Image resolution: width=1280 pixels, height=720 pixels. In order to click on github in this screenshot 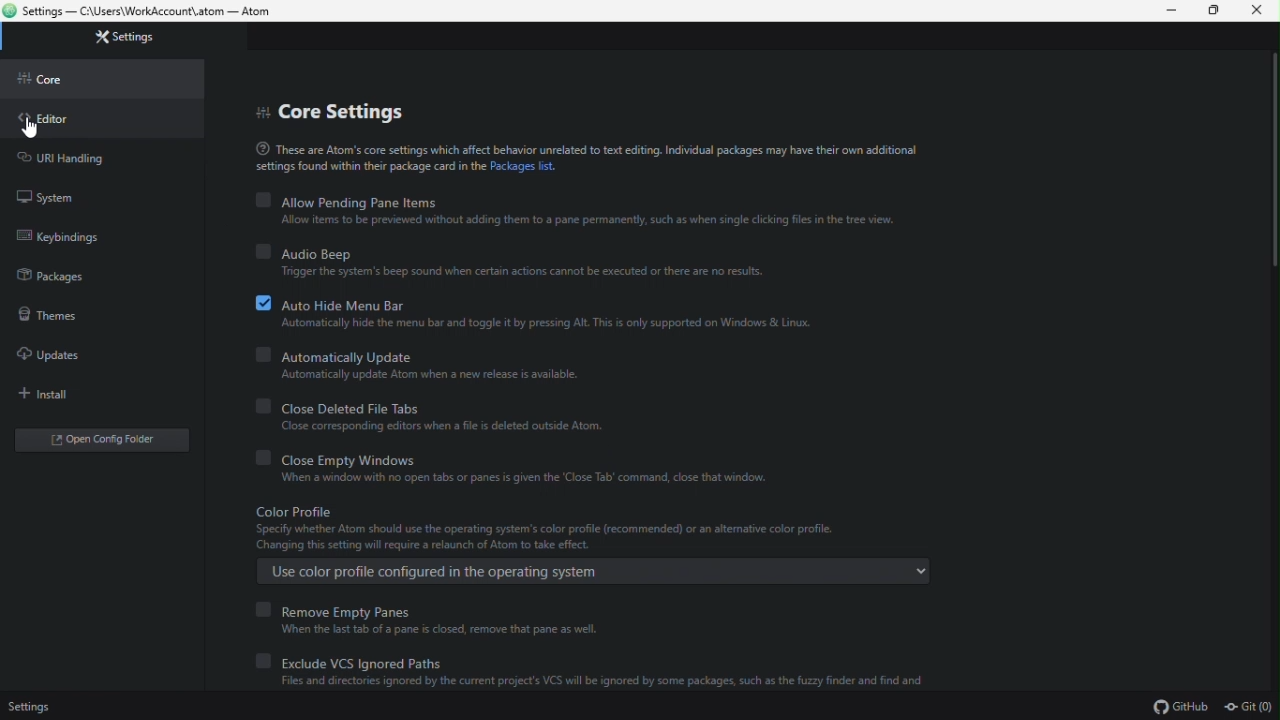, I will do `click(1175, 706)`.